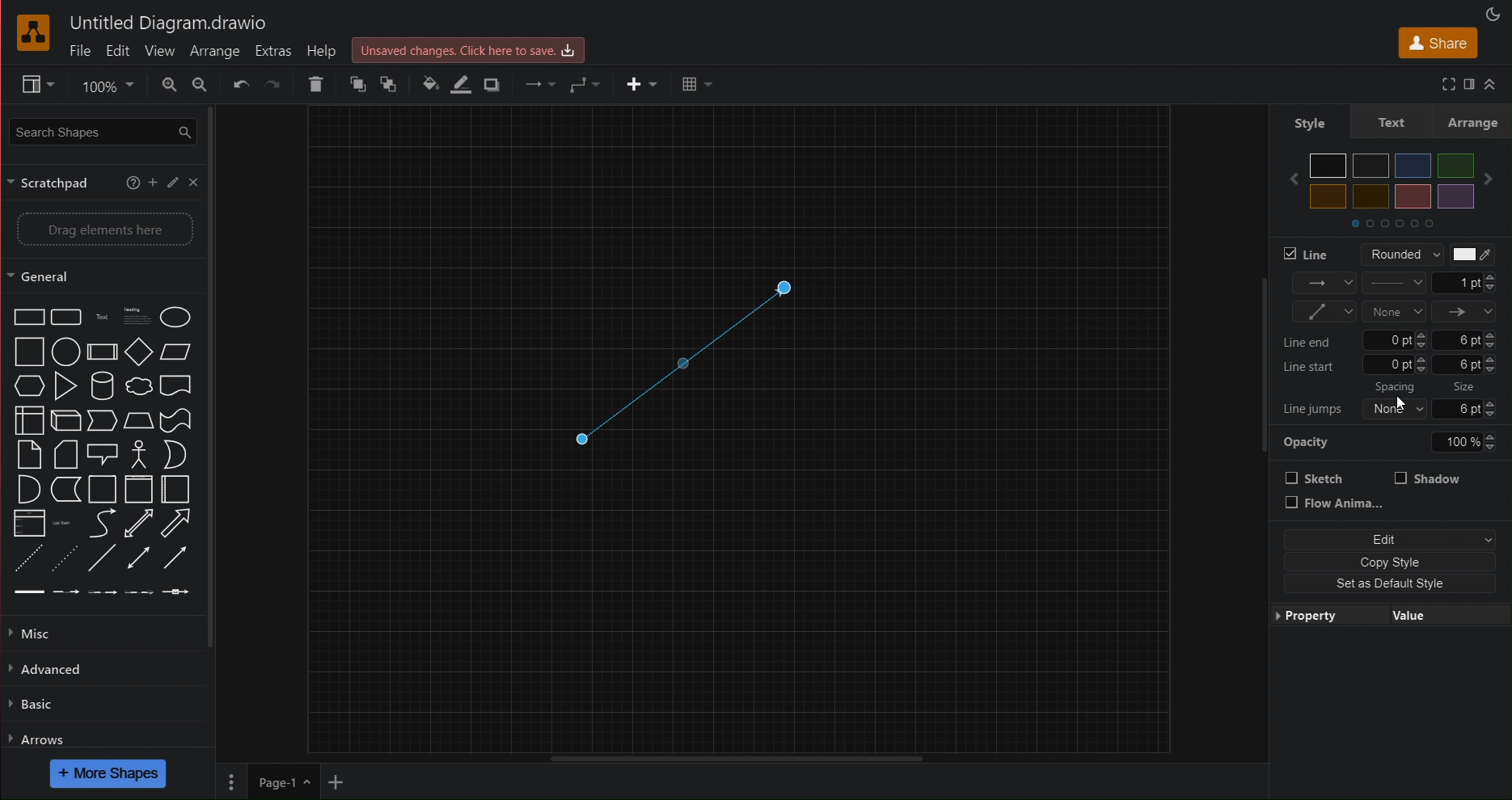  I want to click on Delete, so click(319, 84).